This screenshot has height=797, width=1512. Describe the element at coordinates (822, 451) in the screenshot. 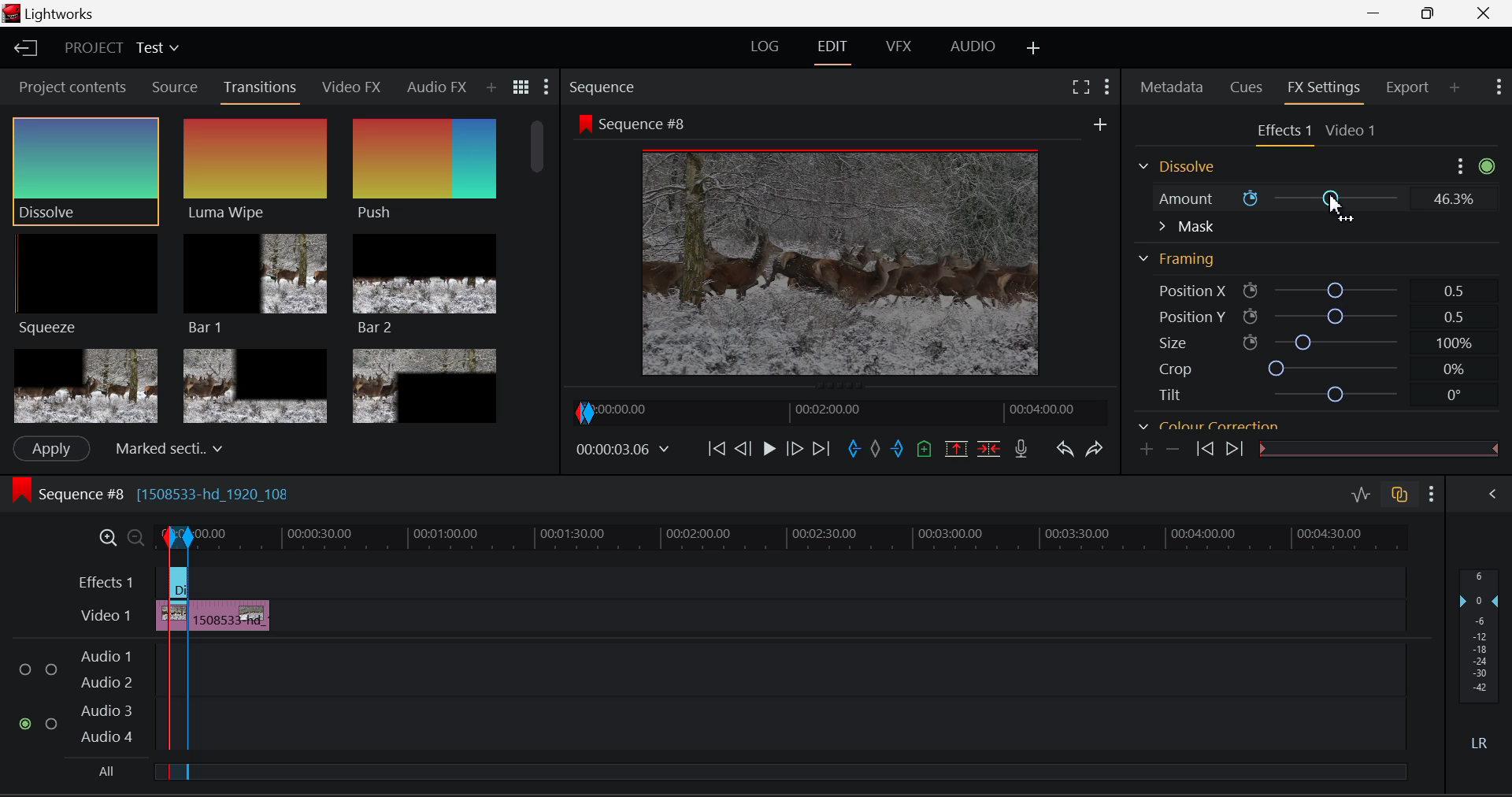

I see `To End` at that location.